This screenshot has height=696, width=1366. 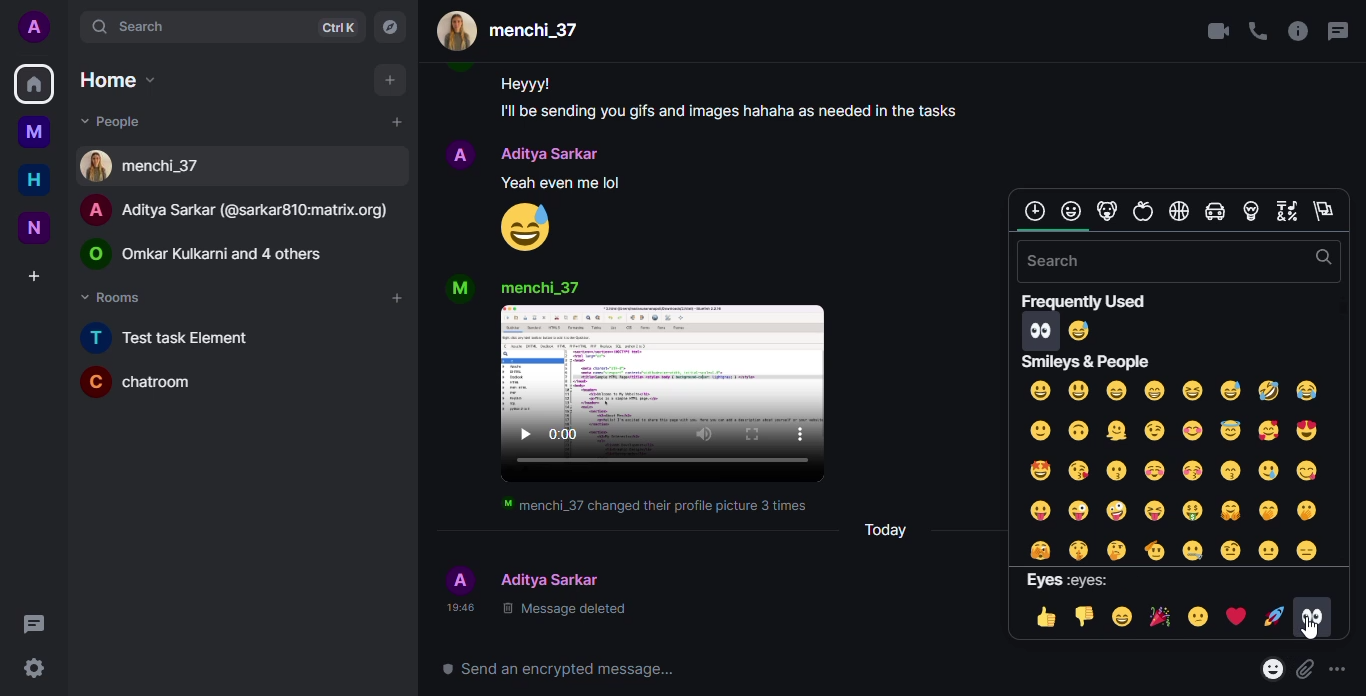 I want to click on eyes, so click(x=1069, y=580).